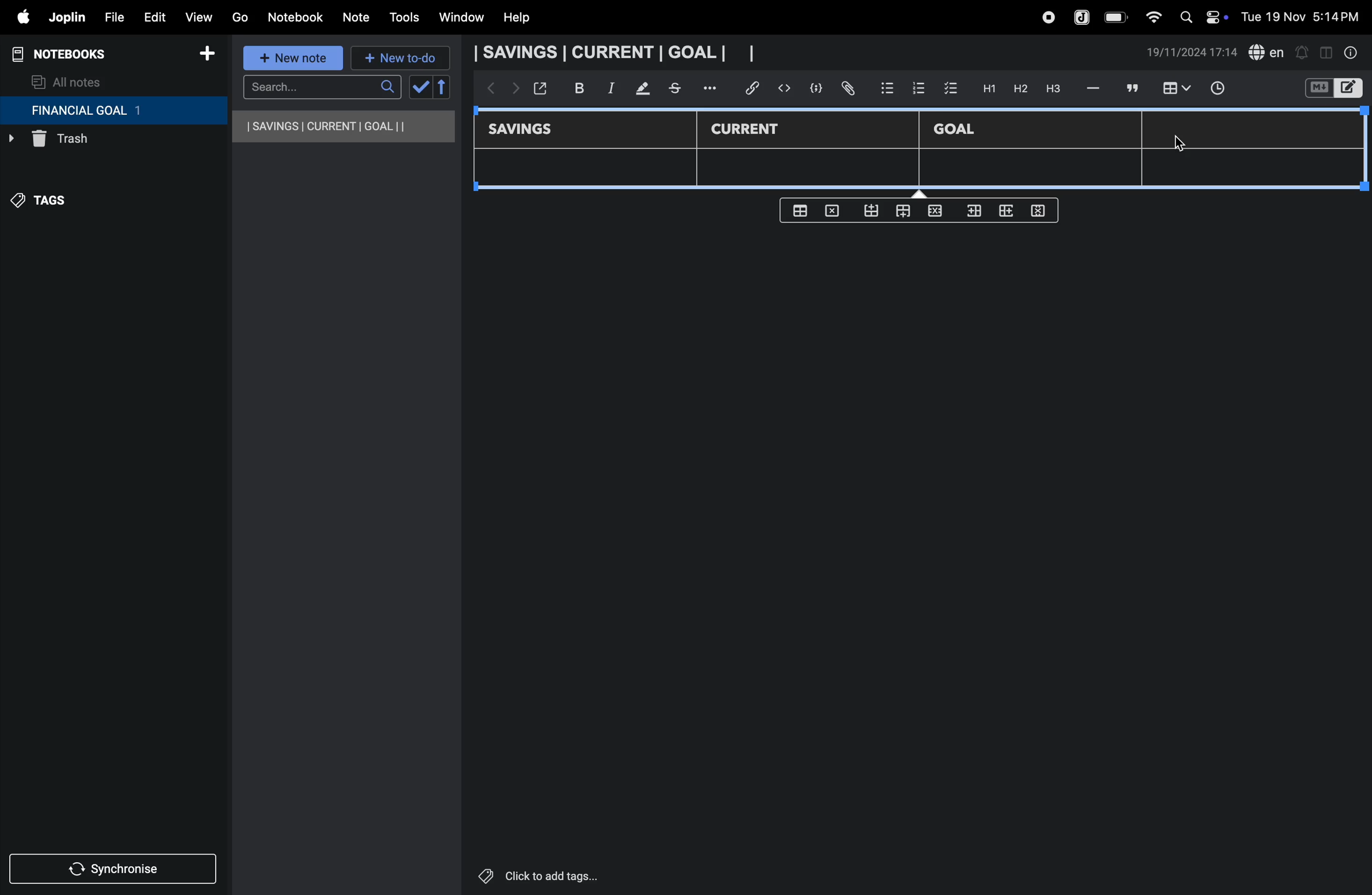 This screenshot has height=895, width=1372. Describe the element at coordinates (460, 18) in the screenshot. I see `window` at that location.